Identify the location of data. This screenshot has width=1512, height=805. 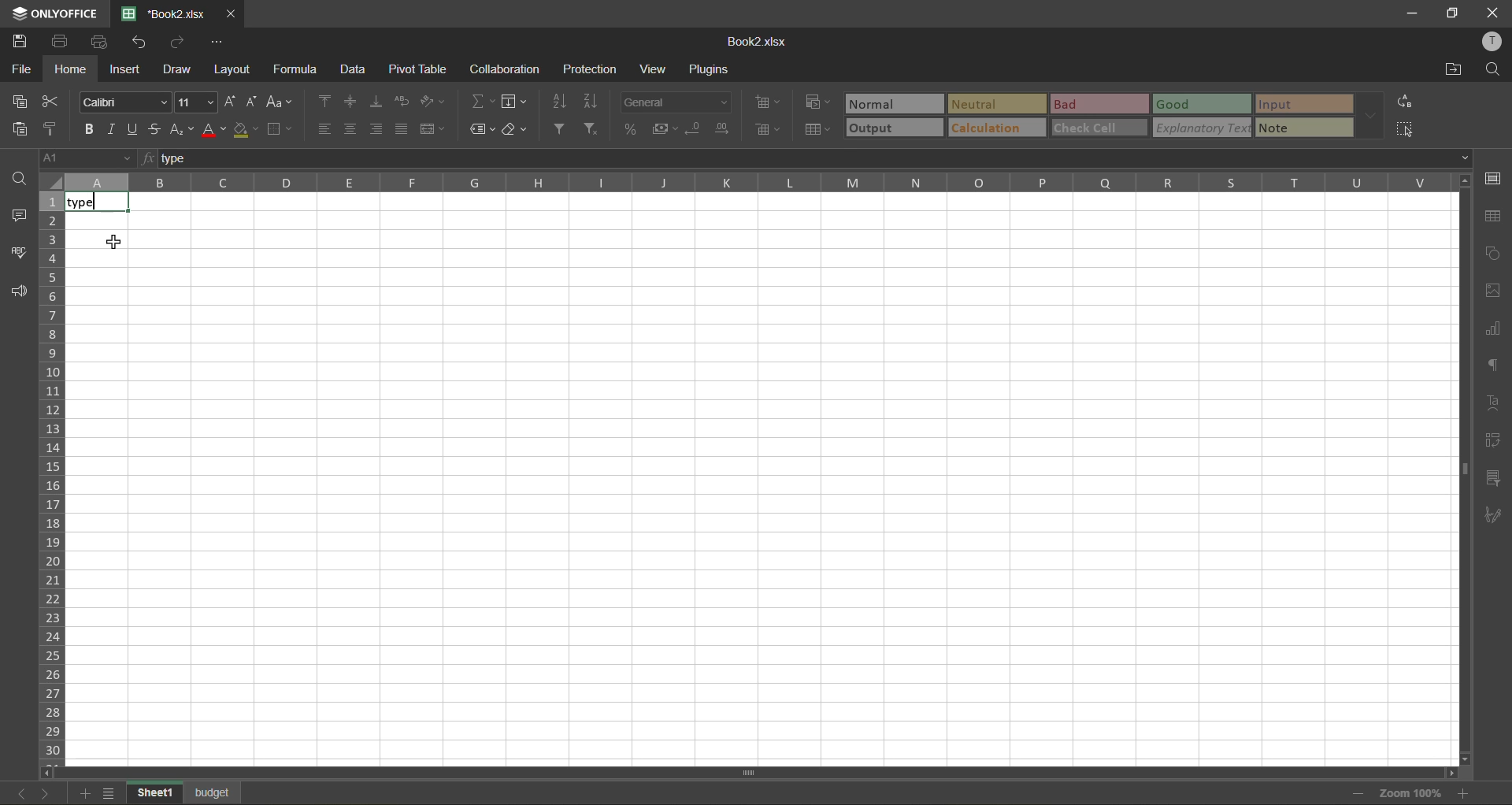
(356, 72).